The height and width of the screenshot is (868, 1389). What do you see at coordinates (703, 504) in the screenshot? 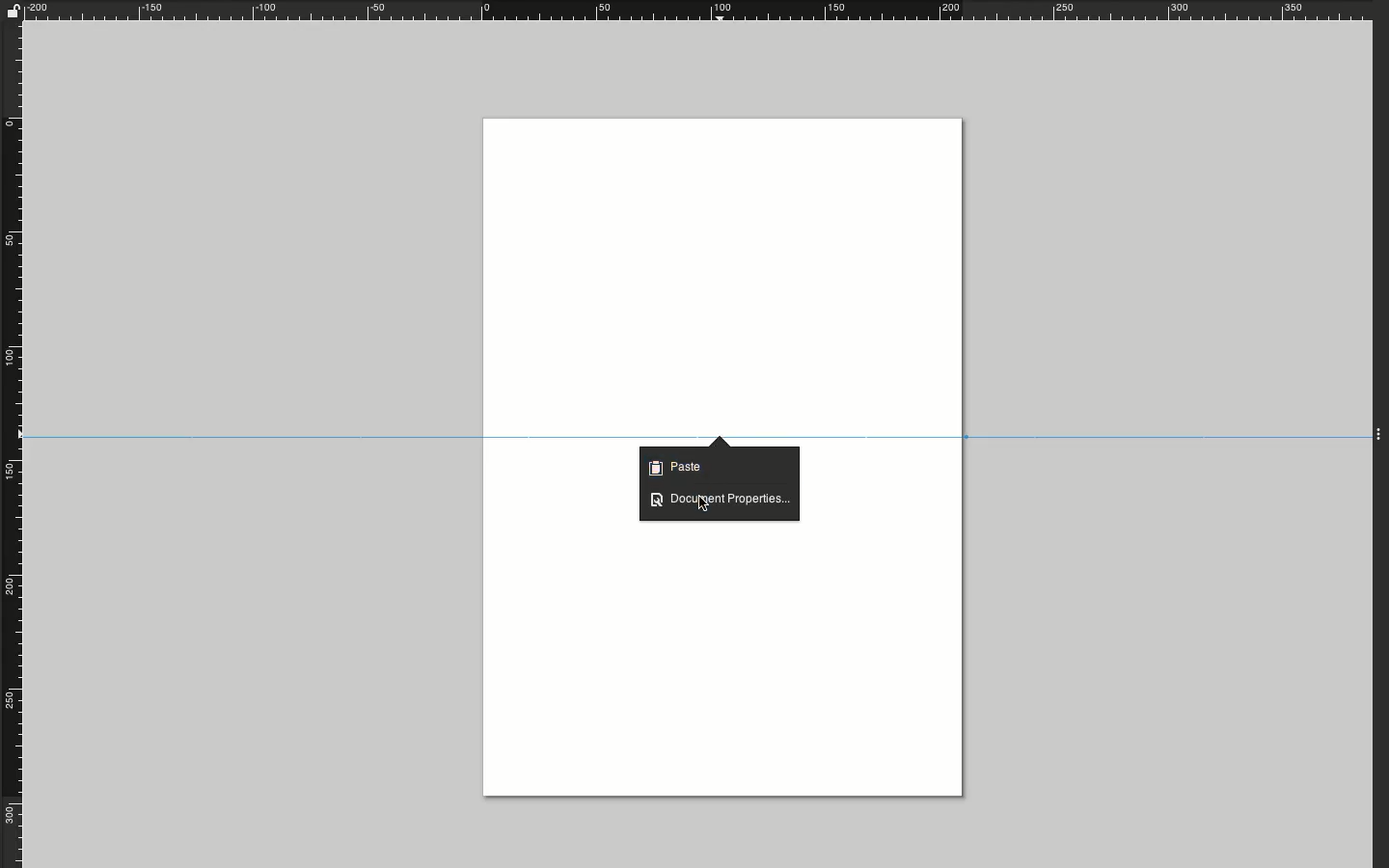
I see `Cursor` at bounding box center [703, 504].